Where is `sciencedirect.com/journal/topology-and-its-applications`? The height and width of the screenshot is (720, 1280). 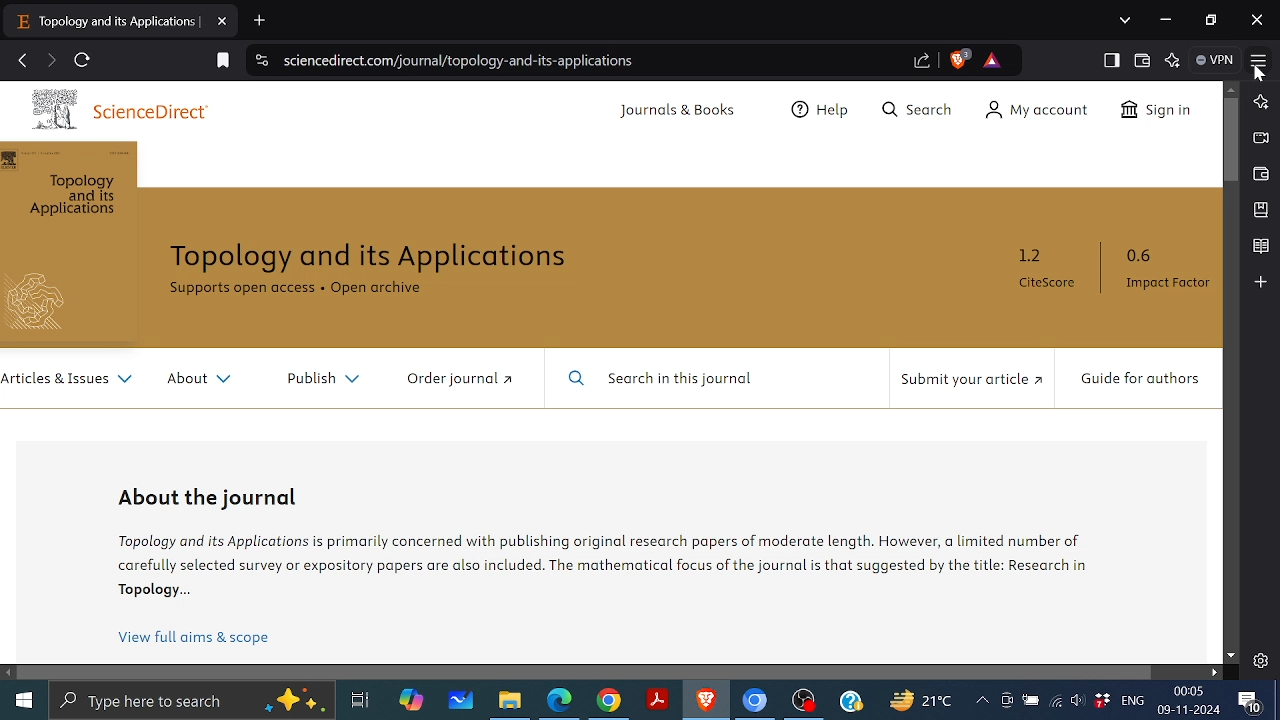 sciencedirect.com/journal/topology-and-its-applications is located at coordinates (460, 62).